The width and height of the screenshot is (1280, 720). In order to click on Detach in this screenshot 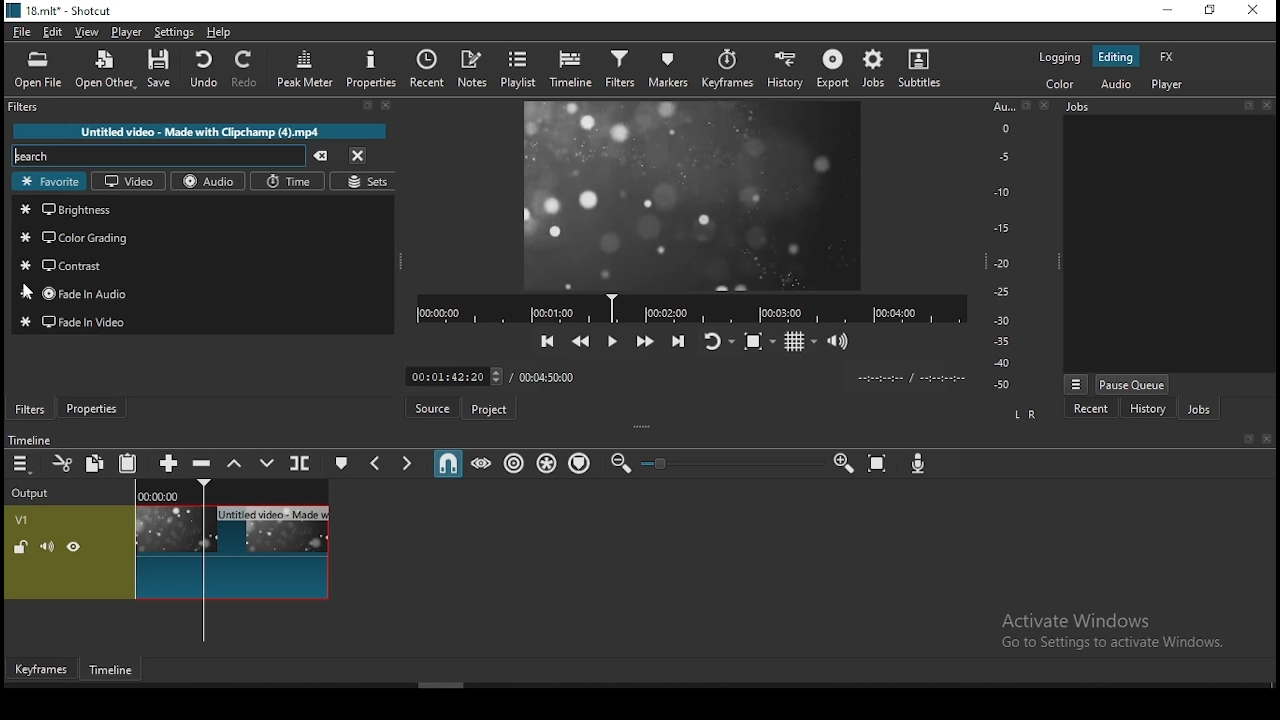, I will do `click(1248, 105)`.